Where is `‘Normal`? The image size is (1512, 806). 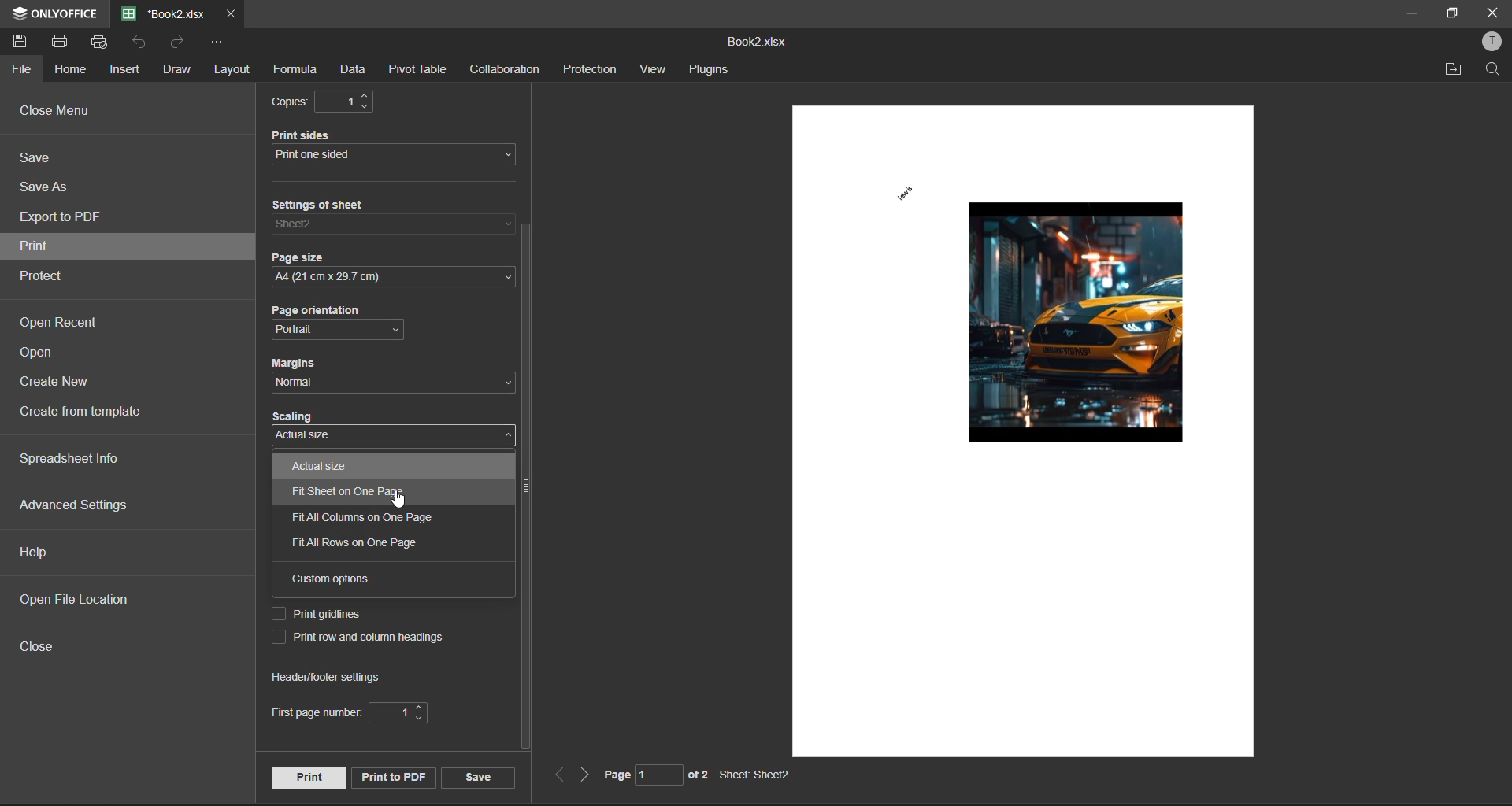
‘Normal is located at coordinates (300, 383).